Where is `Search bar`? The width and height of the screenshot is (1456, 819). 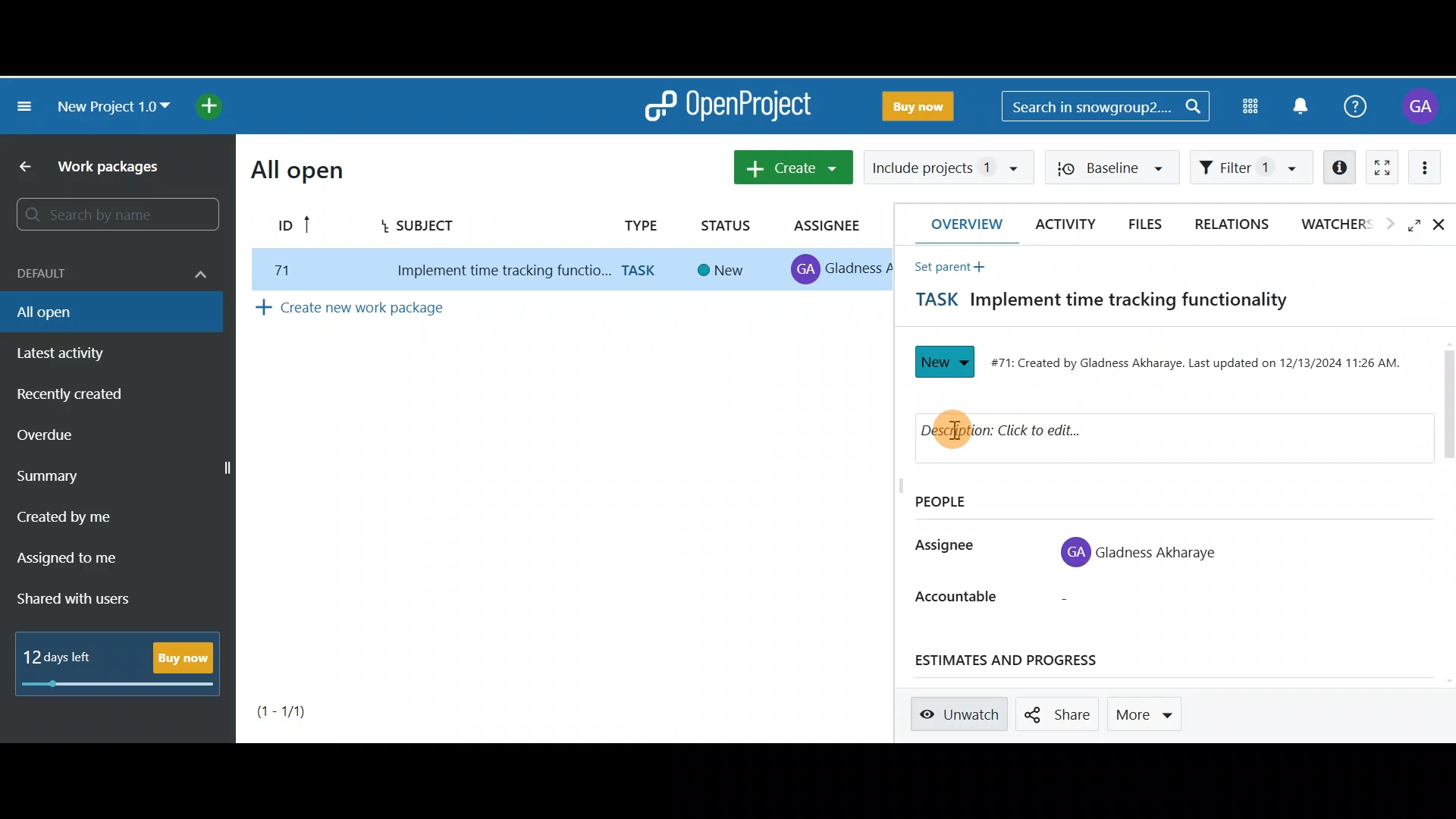
Search bar is located at coordinates (1109, 104).